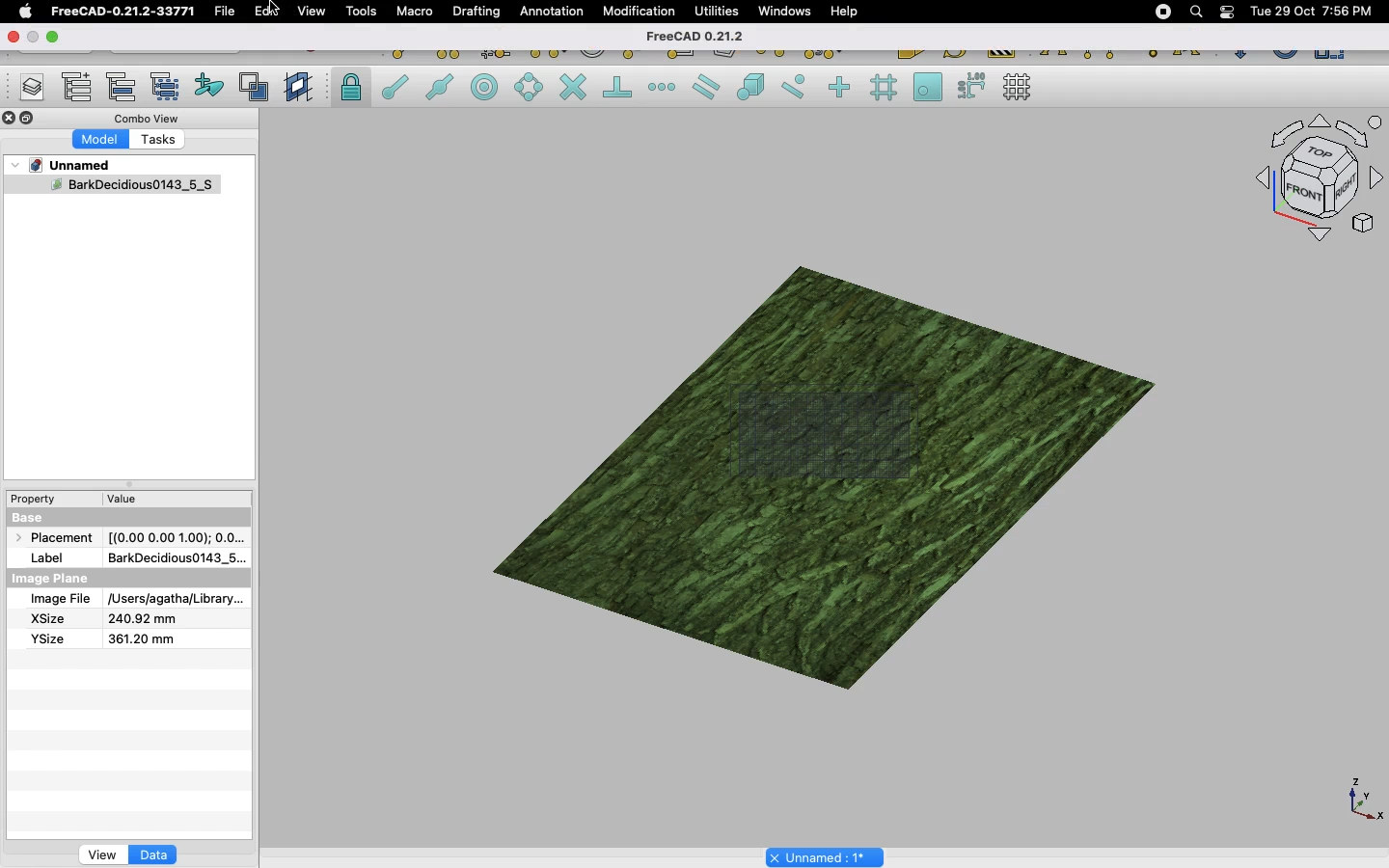 The width and height of the screenshot is (1389, 868). Describe the element at coordinates (490, 86) in the screenshot. I see `Snap center` at that location.